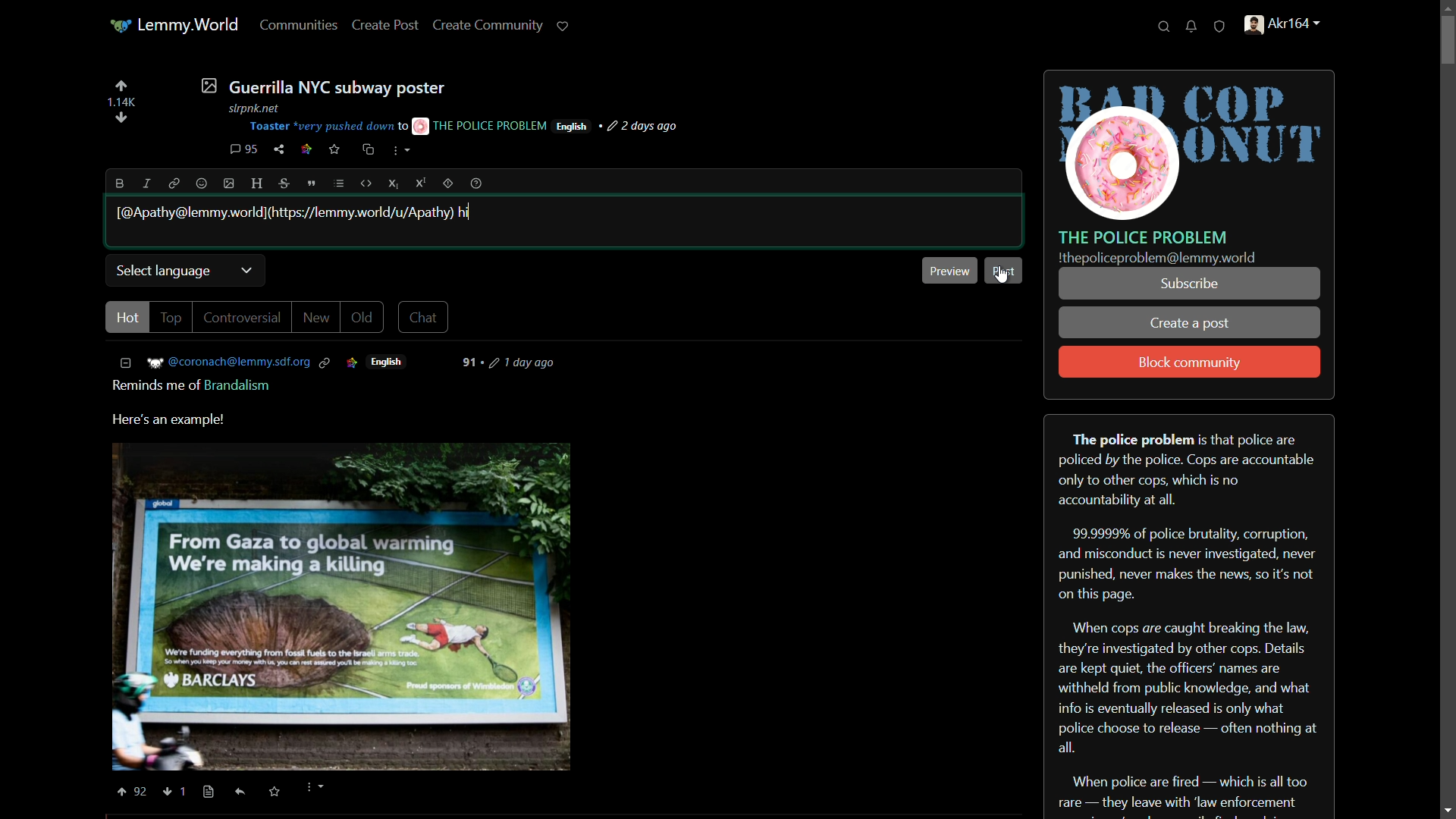 The image size is (1456, 819). What do you see at coordinates (121, 119) in the screenshot?
I see `diwnvote` at bounding box center [121, 119].